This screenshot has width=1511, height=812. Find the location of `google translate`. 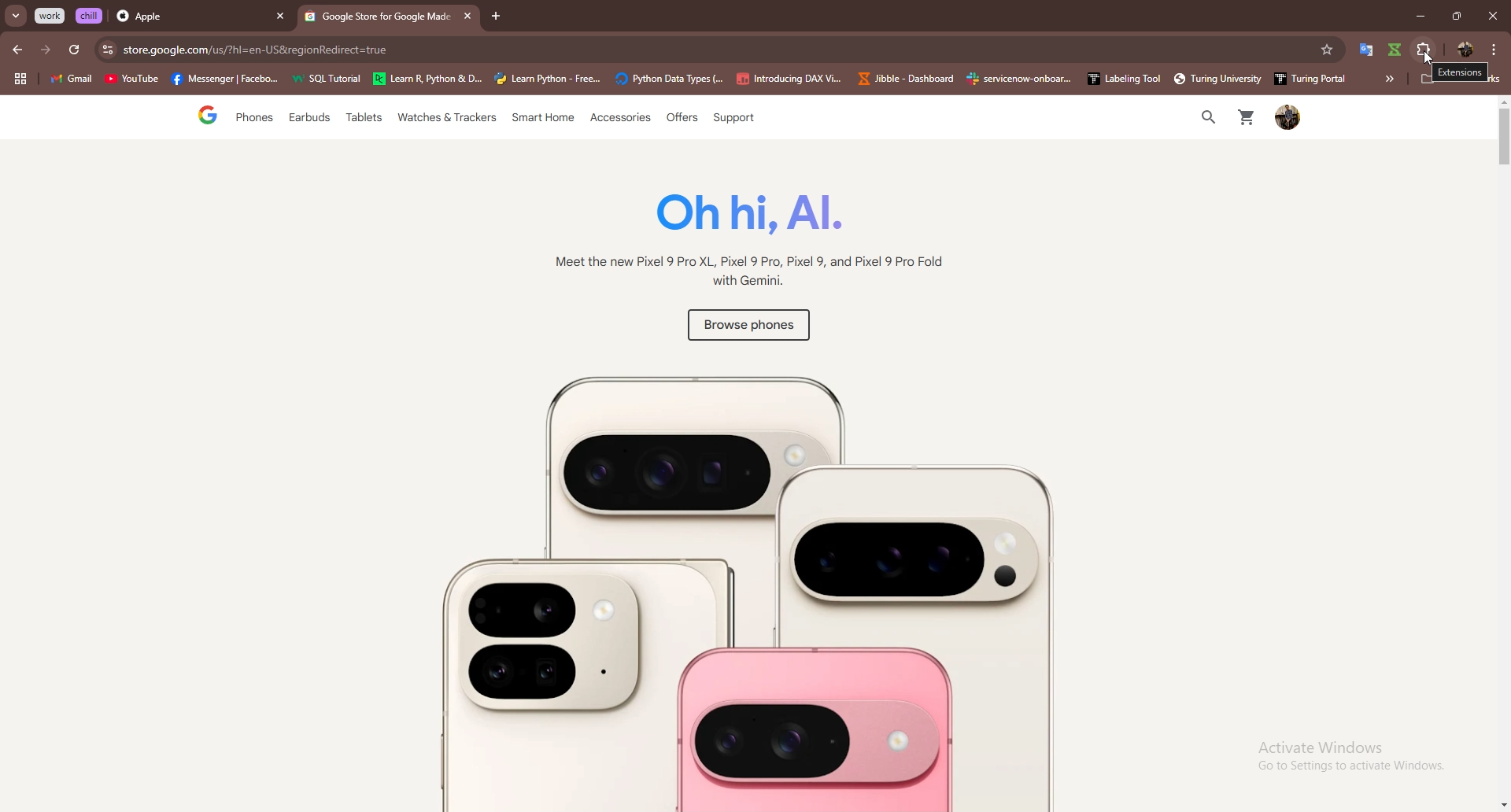

google translate is located at coordinates (1365, 50).